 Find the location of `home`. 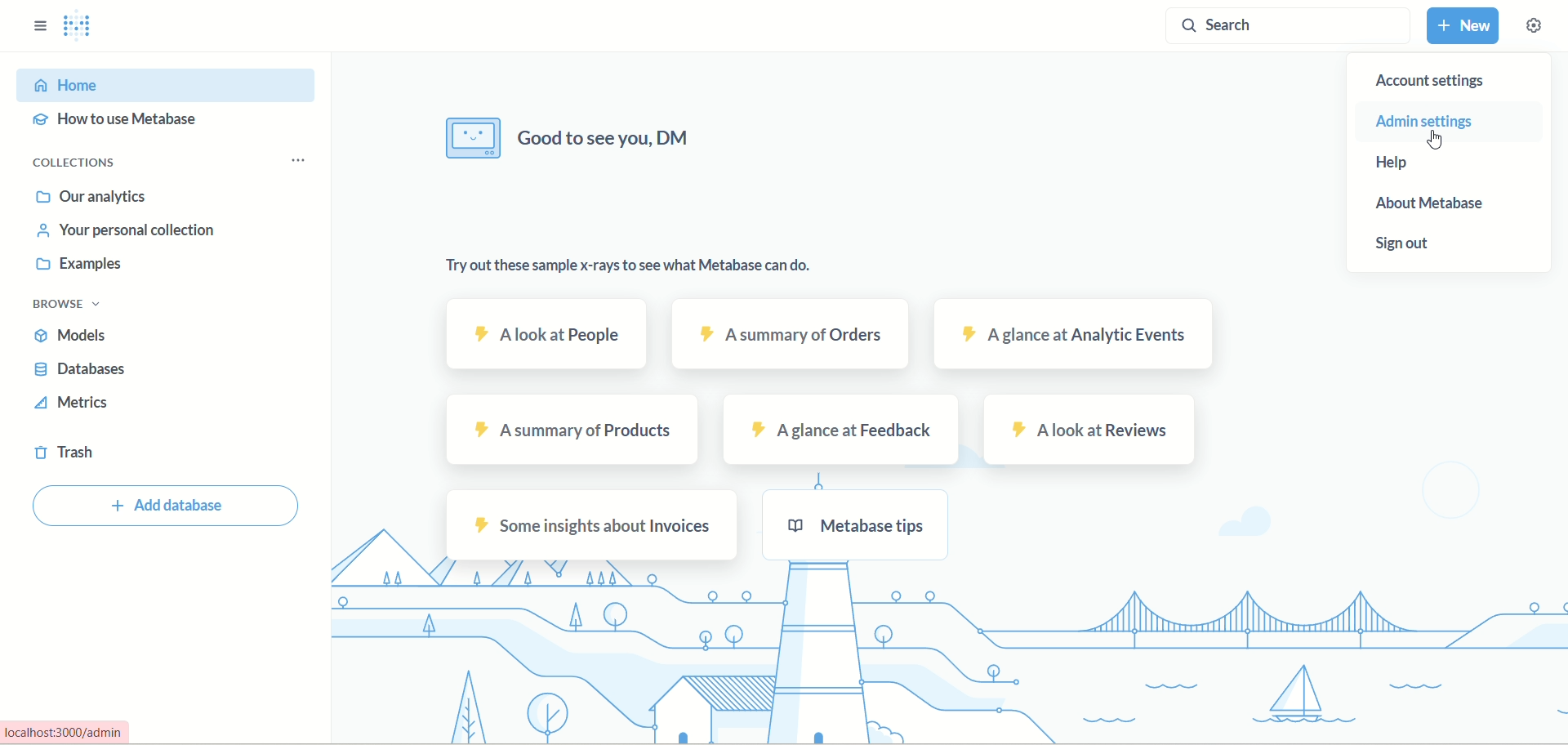

home is located at coordinates (167, 84).